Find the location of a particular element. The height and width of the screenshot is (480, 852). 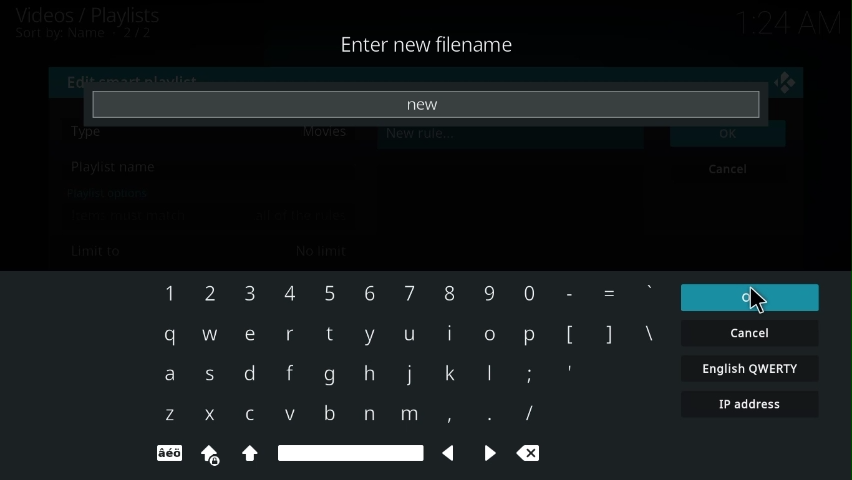

v is located at coordinates (289, 413).